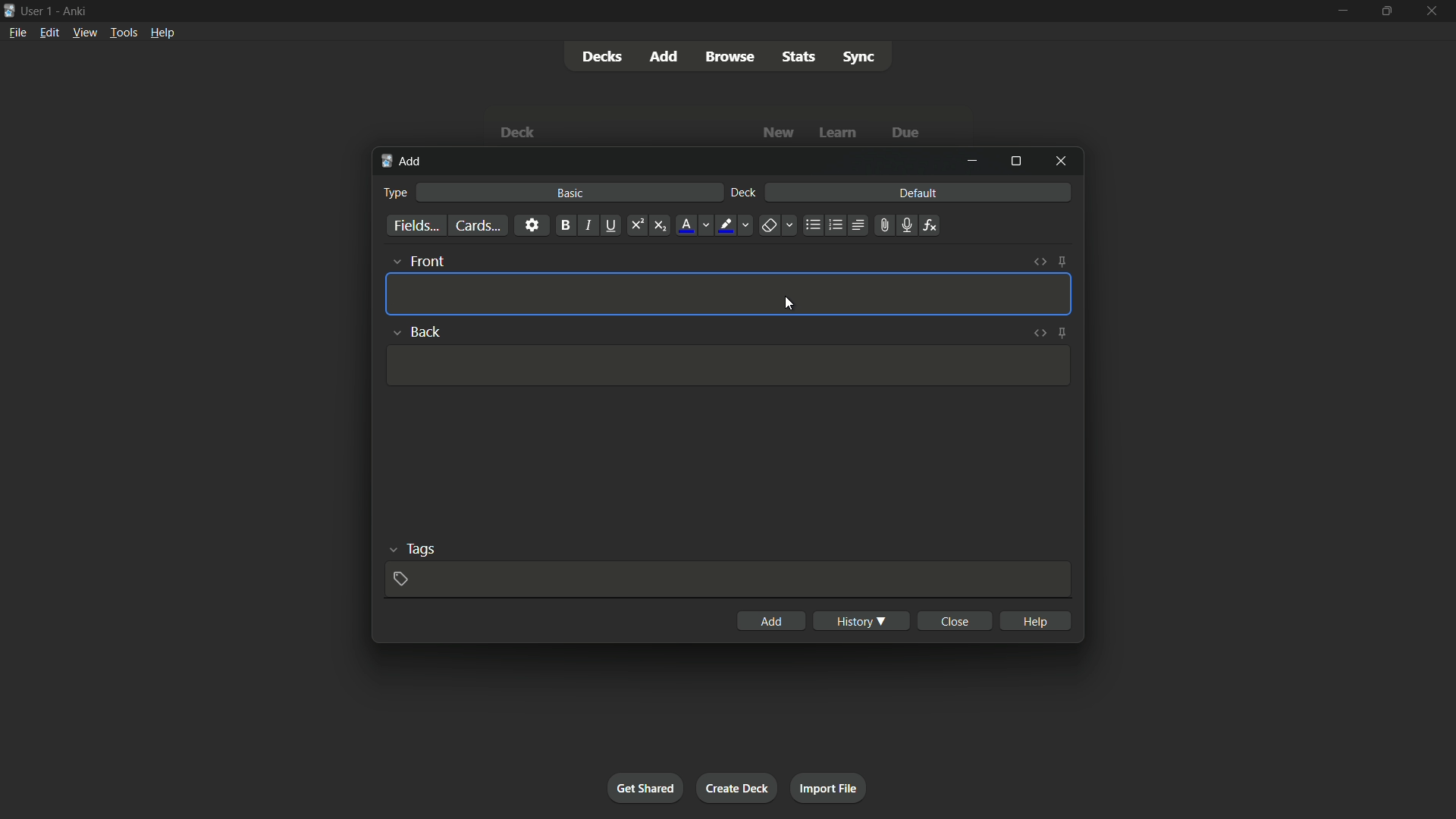 The image size is (1456, 819). What do you see at coordinates (861, 621) in the screenshot?
I see `history` at bounding box center [861, 621].